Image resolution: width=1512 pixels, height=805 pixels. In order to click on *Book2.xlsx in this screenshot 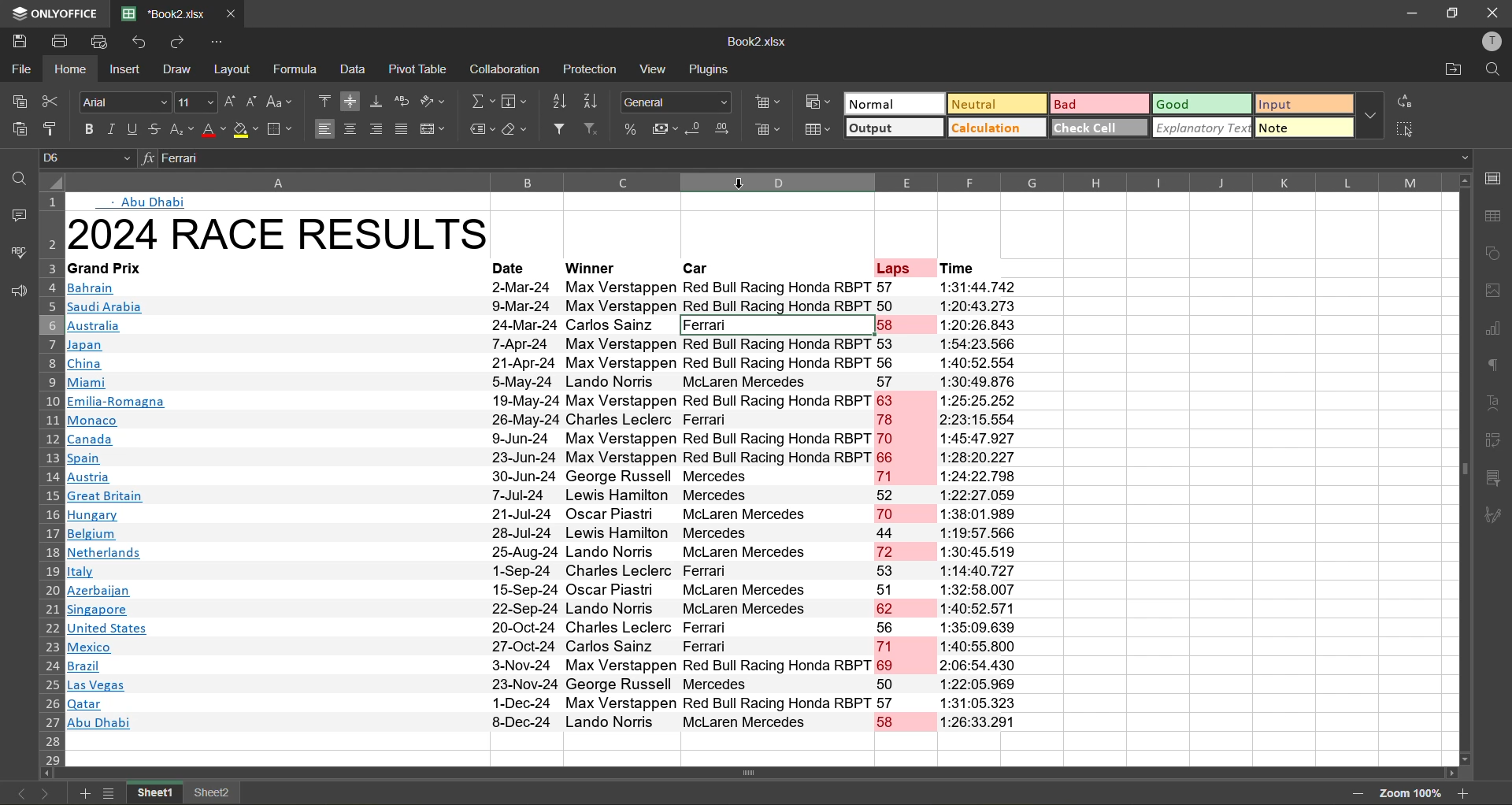, I will do `click(161, 13)`.